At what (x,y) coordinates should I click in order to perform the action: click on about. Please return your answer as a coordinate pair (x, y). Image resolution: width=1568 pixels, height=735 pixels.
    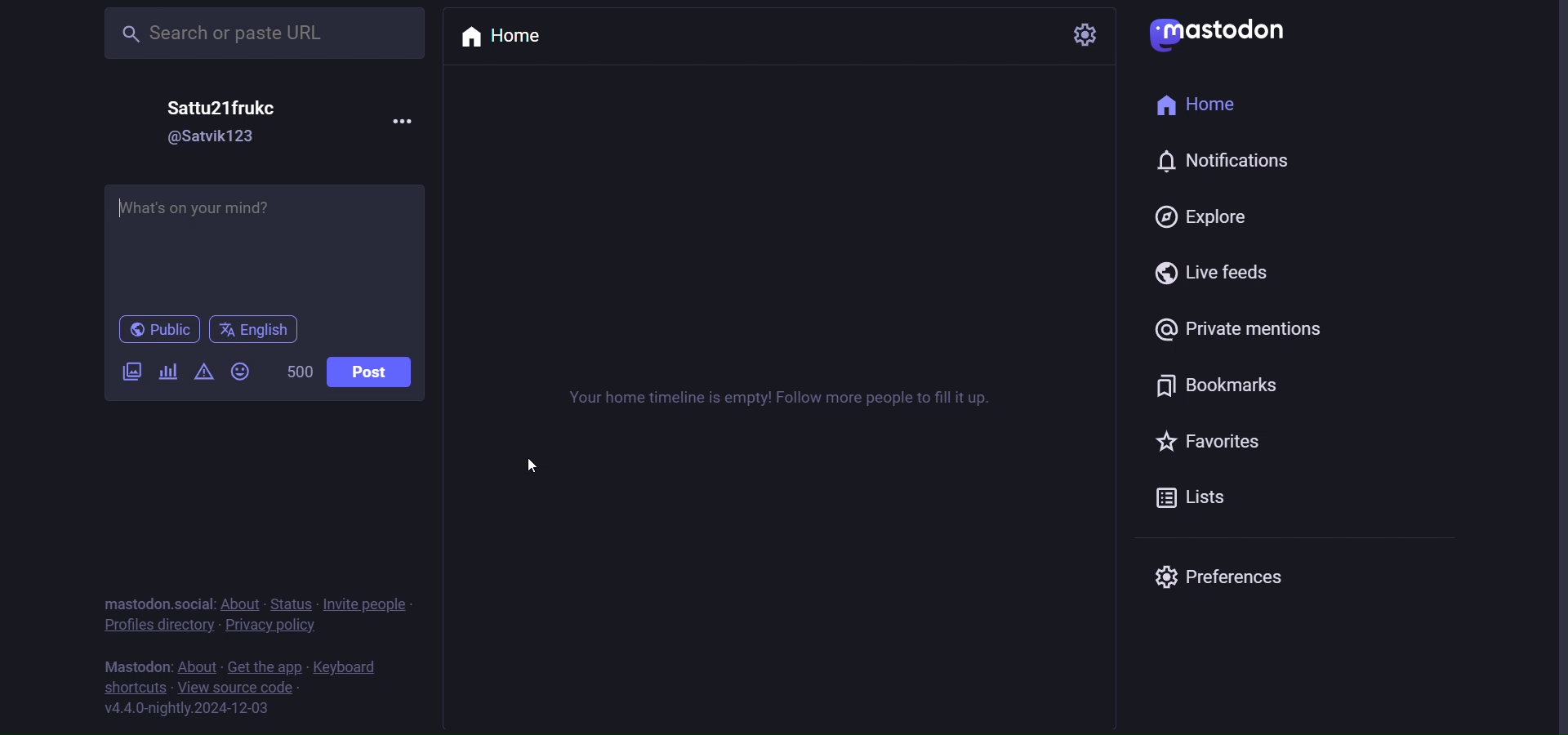
    Looking at the image, I should click on (201, 666).